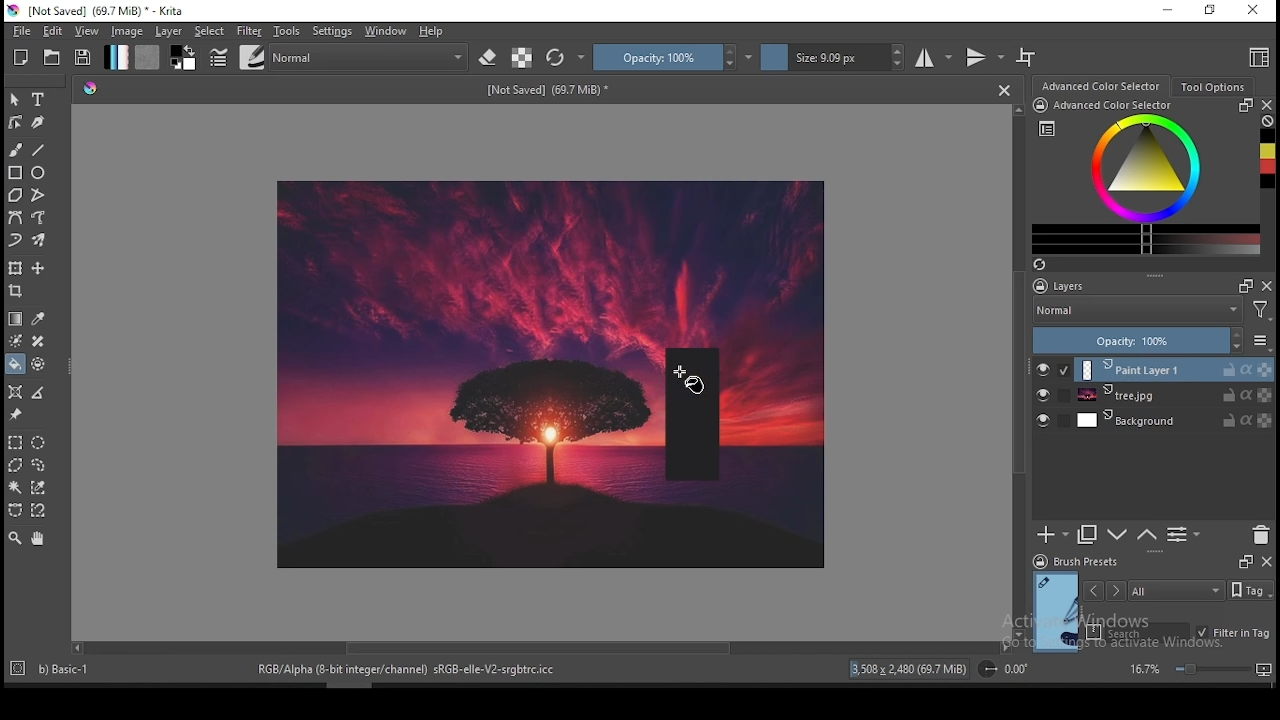  I want to click on Scroll Bar, so click(1017, 372).